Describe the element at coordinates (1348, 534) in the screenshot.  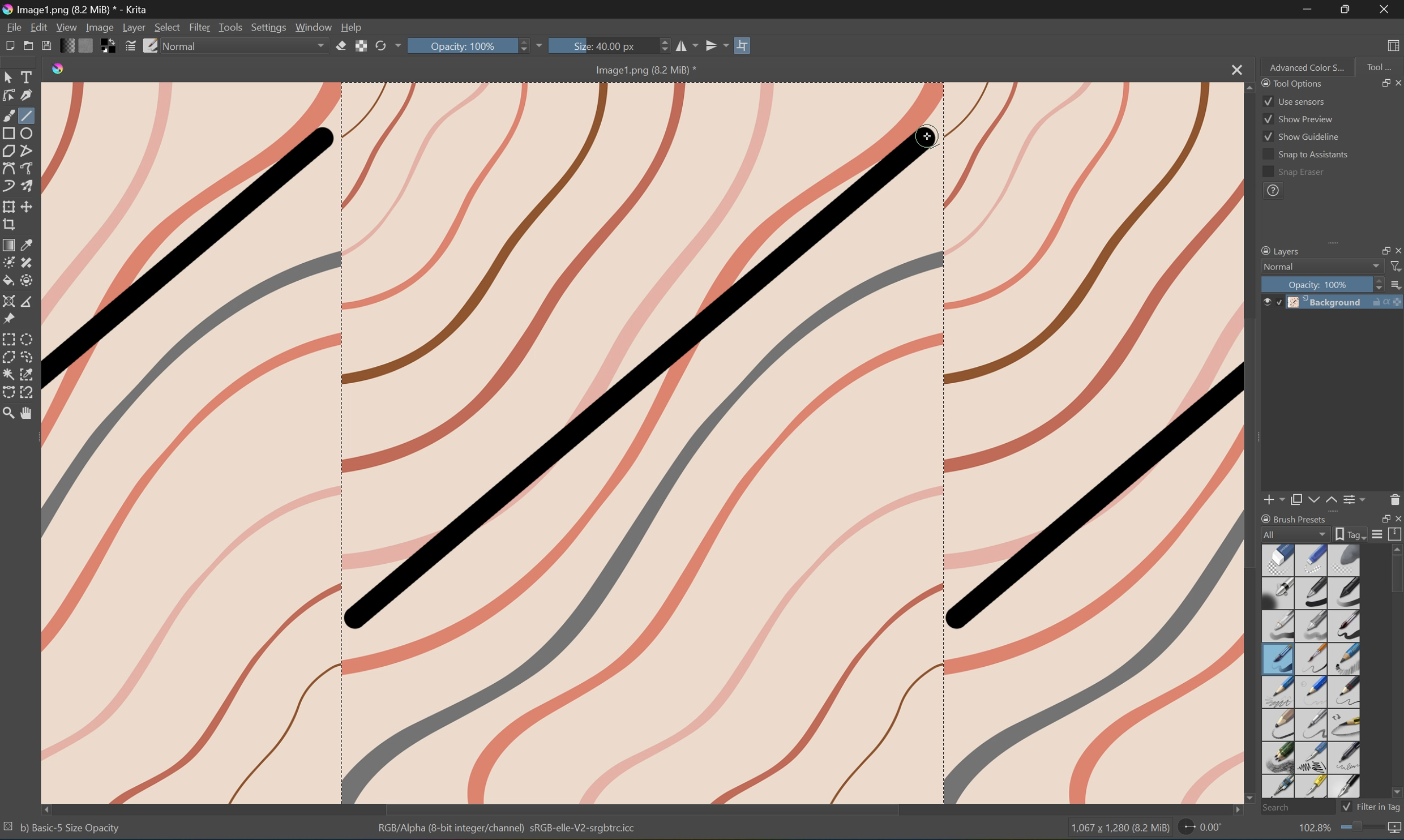
I see `Show the tag box options` at that location.